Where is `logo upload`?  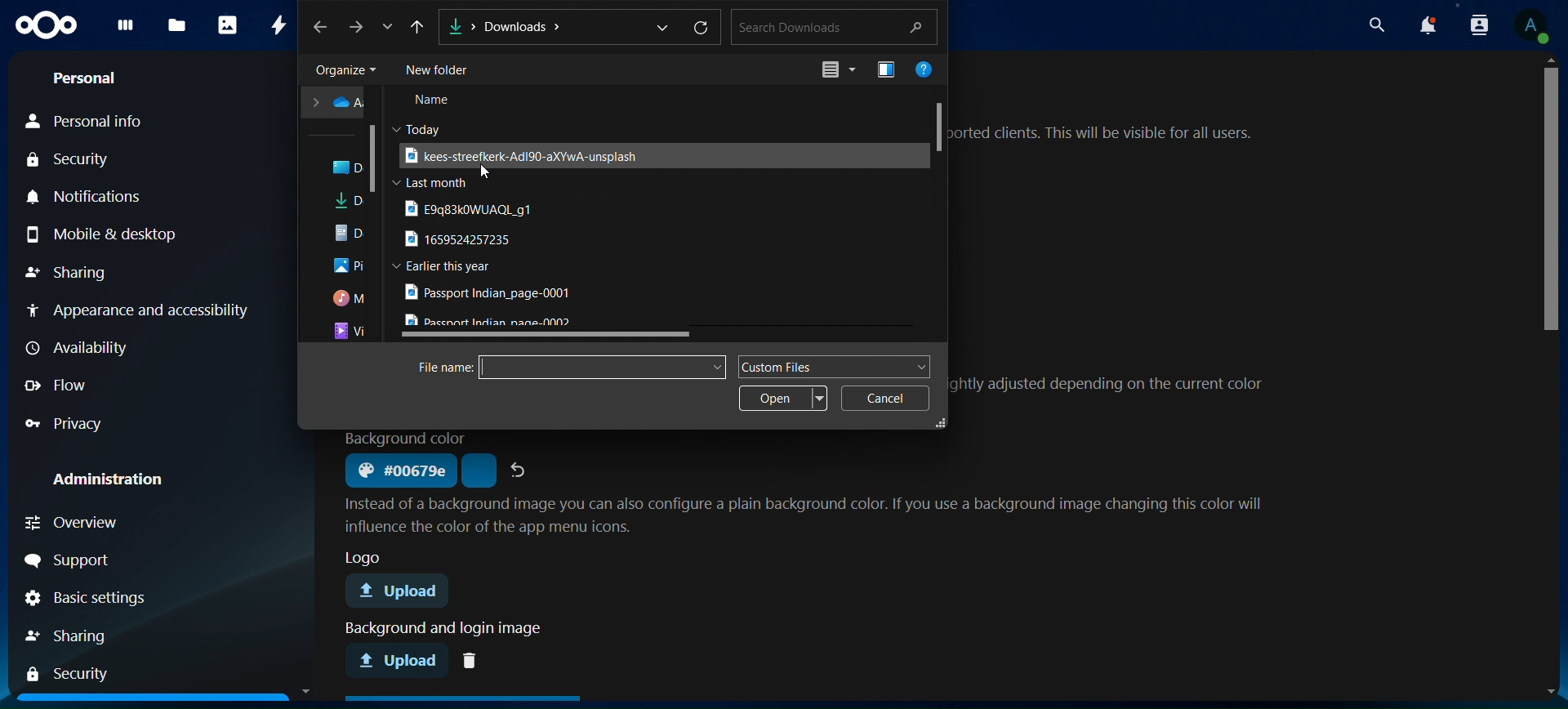 logo upload is located at coordinates (403, 592).